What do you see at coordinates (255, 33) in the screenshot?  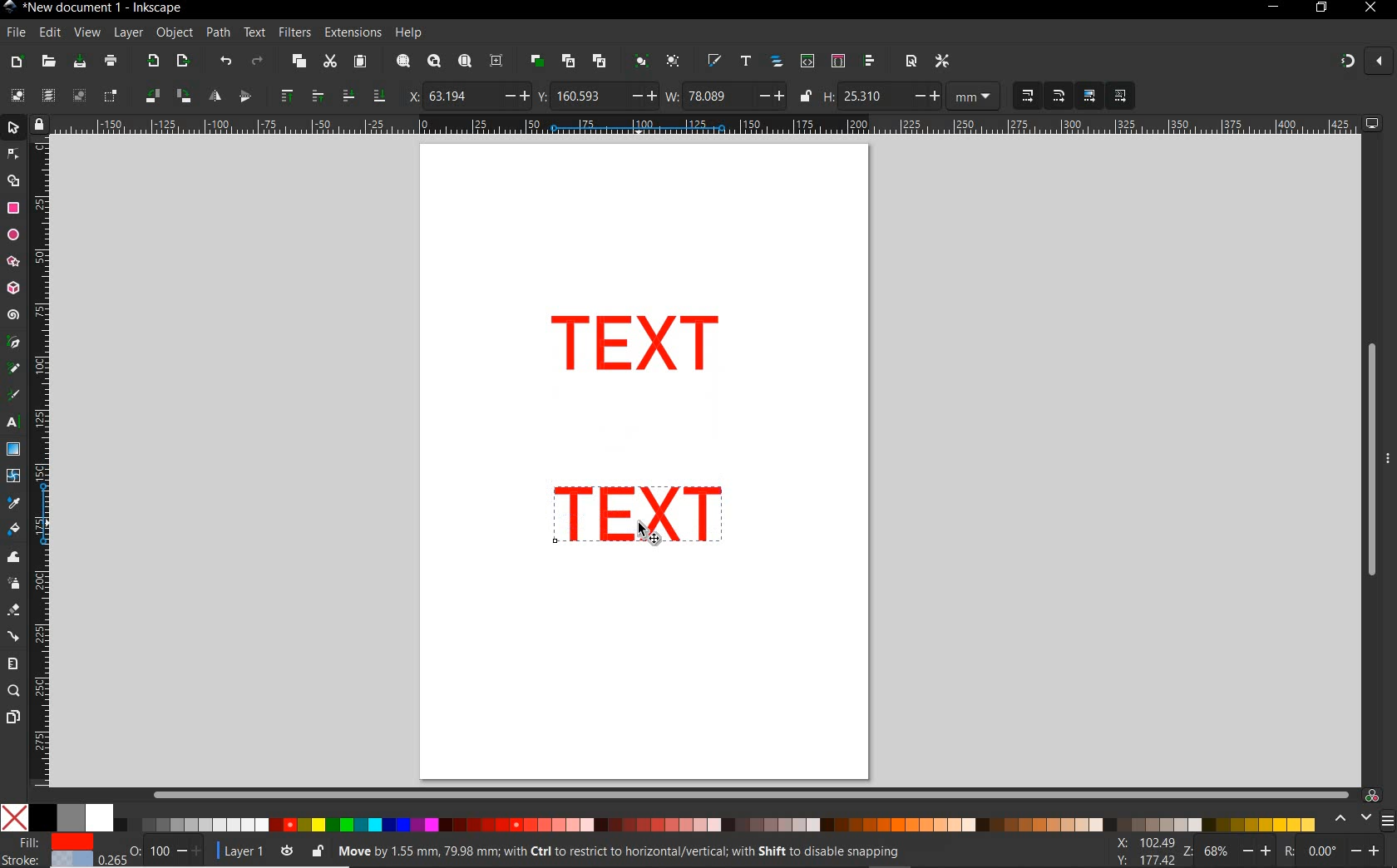 I see `text` at bounding box center [255, 33].